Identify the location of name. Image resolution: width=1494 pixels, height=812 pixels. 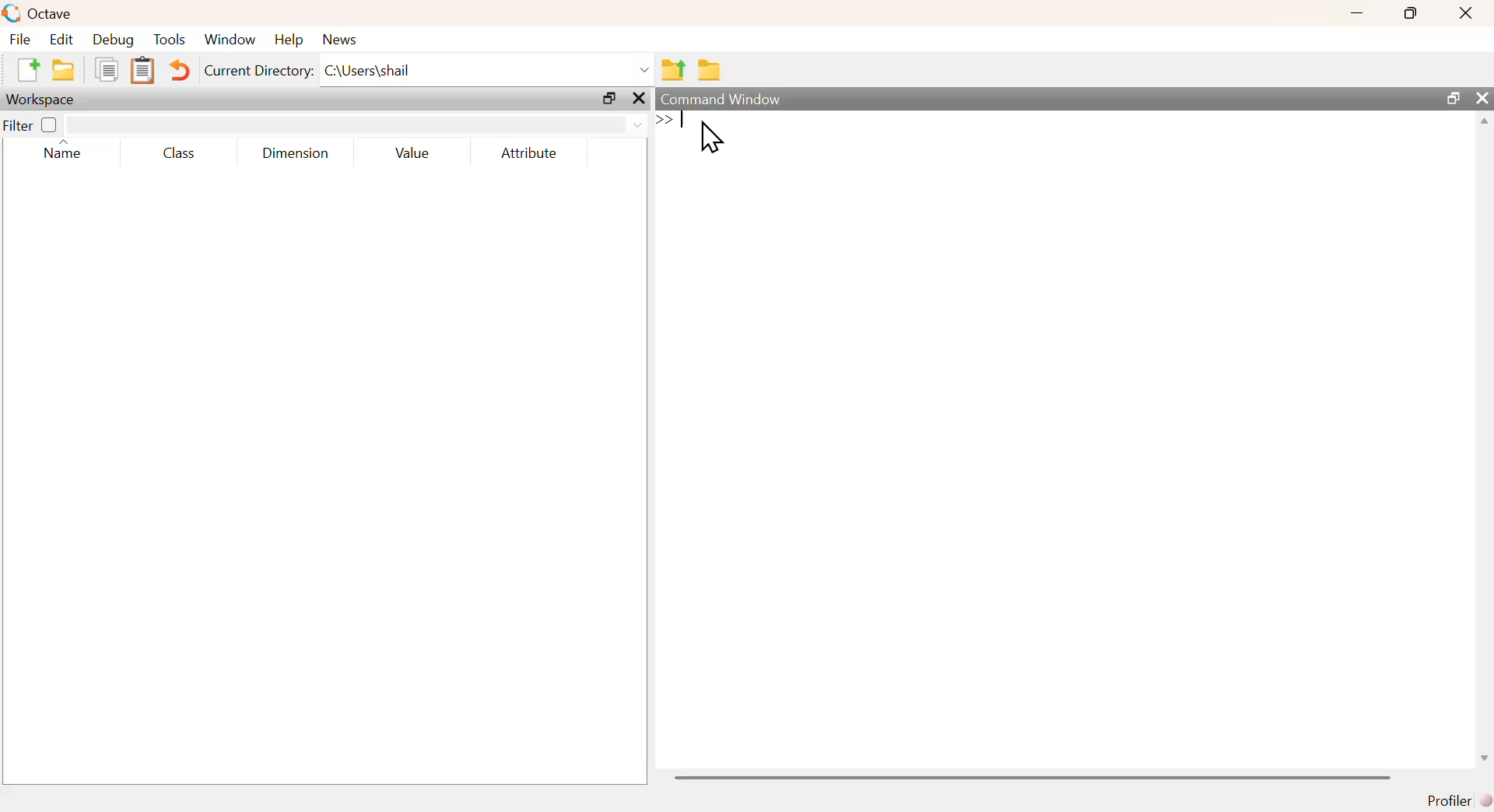
(64, 156).